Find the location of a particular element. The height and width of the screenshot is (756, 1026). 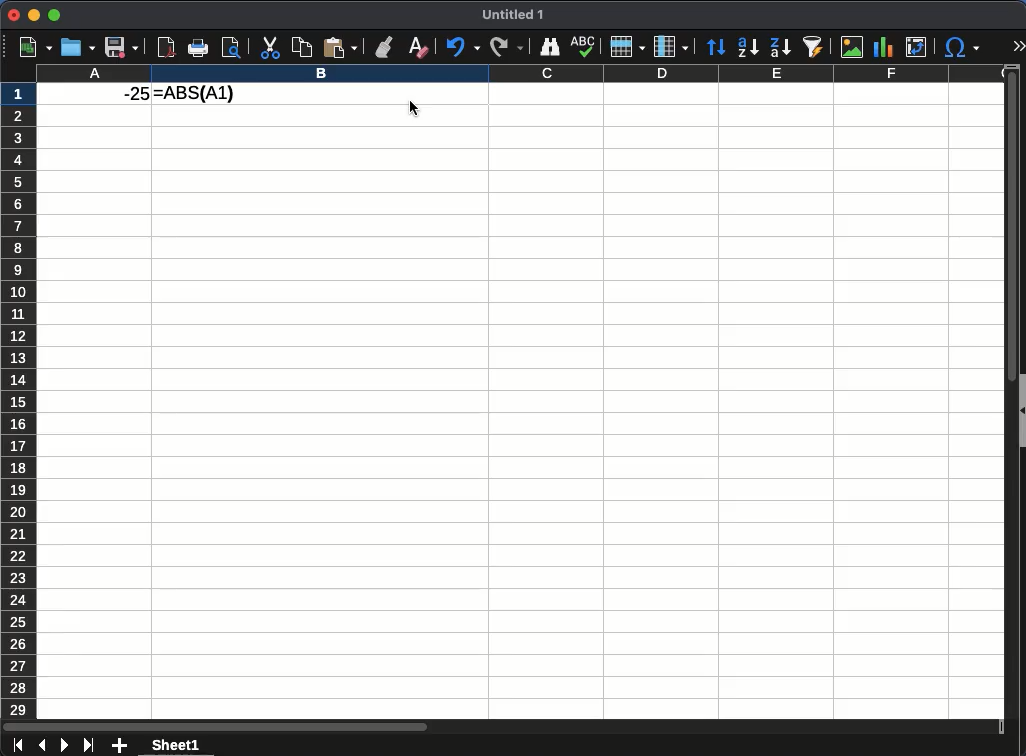

=ABS(A1) is located at coordinates (195, 94).